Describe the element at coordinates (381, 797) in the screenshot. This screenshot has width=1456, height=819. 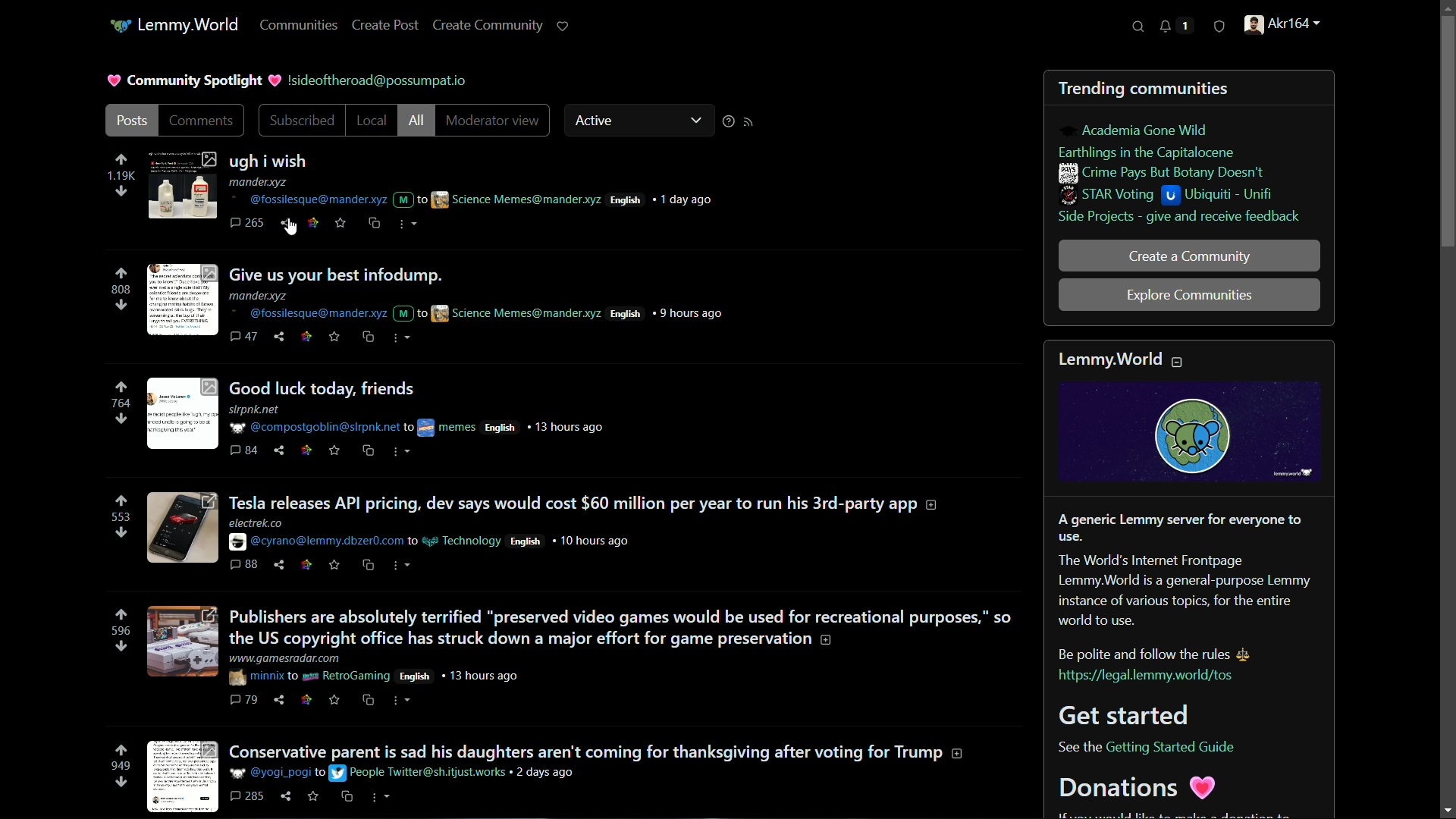
I see `more actions` at that location.